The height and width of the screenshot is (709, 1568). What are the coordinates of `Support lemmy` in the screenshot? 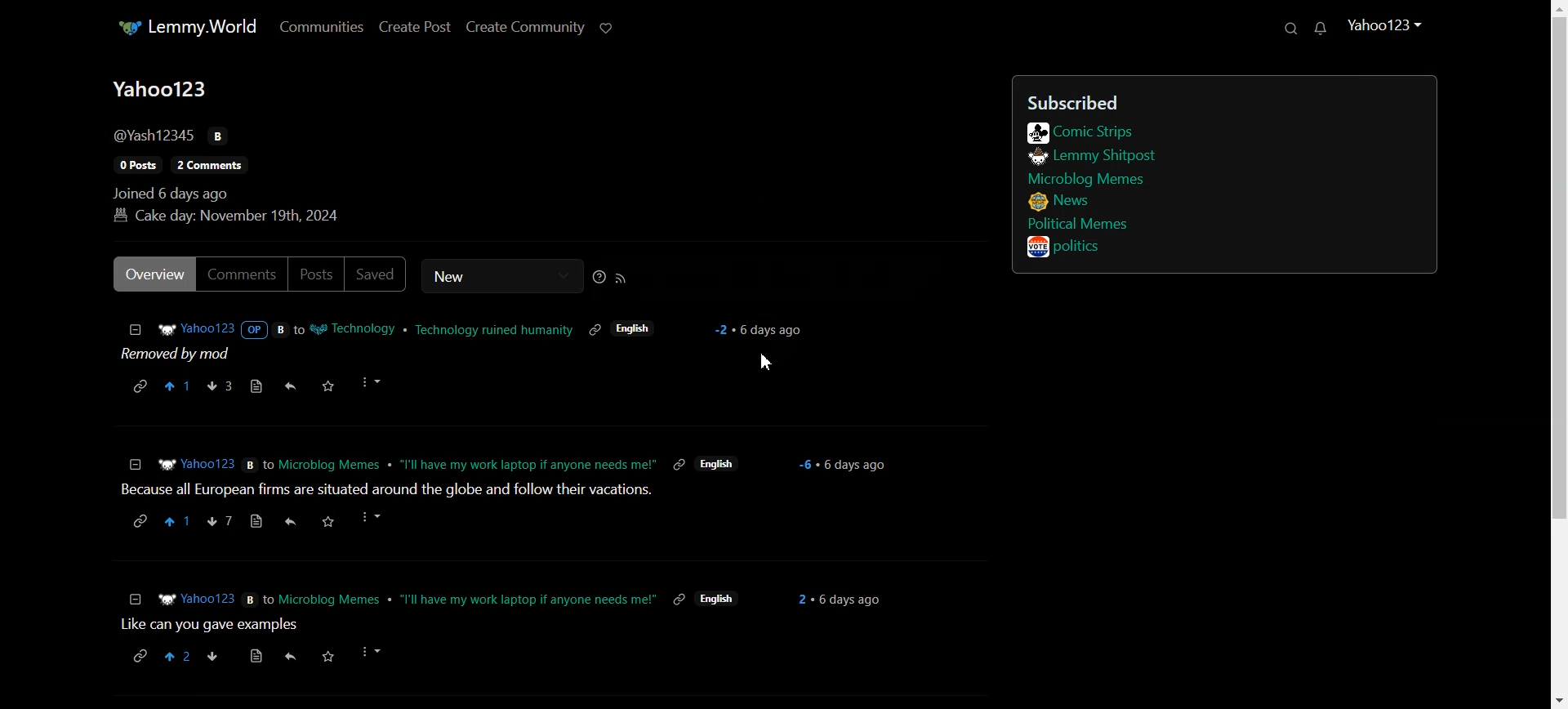 It's located at (606, 27).